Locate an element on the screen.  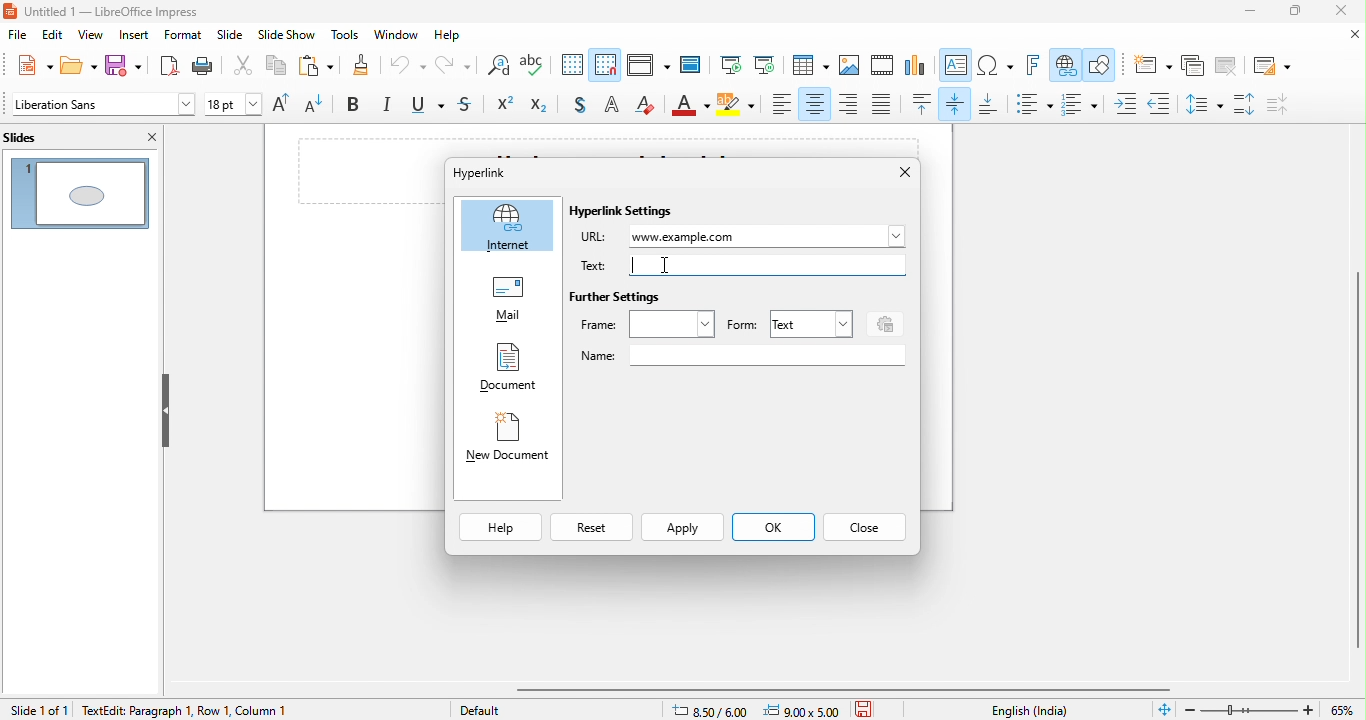
italics is located at coordinates (389, 106).